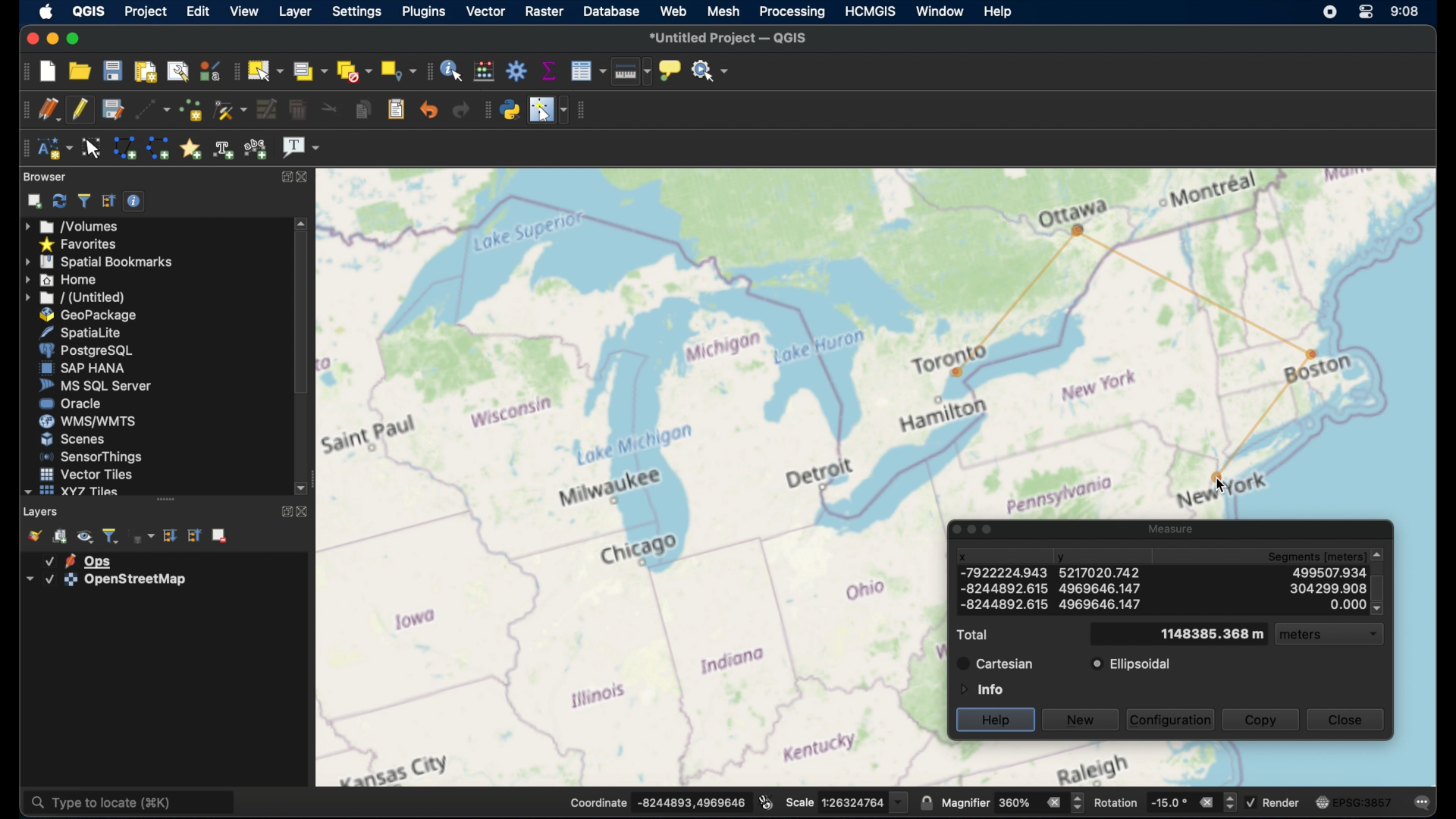 Image resolution: width=1456 pixels, height=819 pixels. Describe the element at coordinates (287, 177) in the screenshot. I see `maximize` at that location.